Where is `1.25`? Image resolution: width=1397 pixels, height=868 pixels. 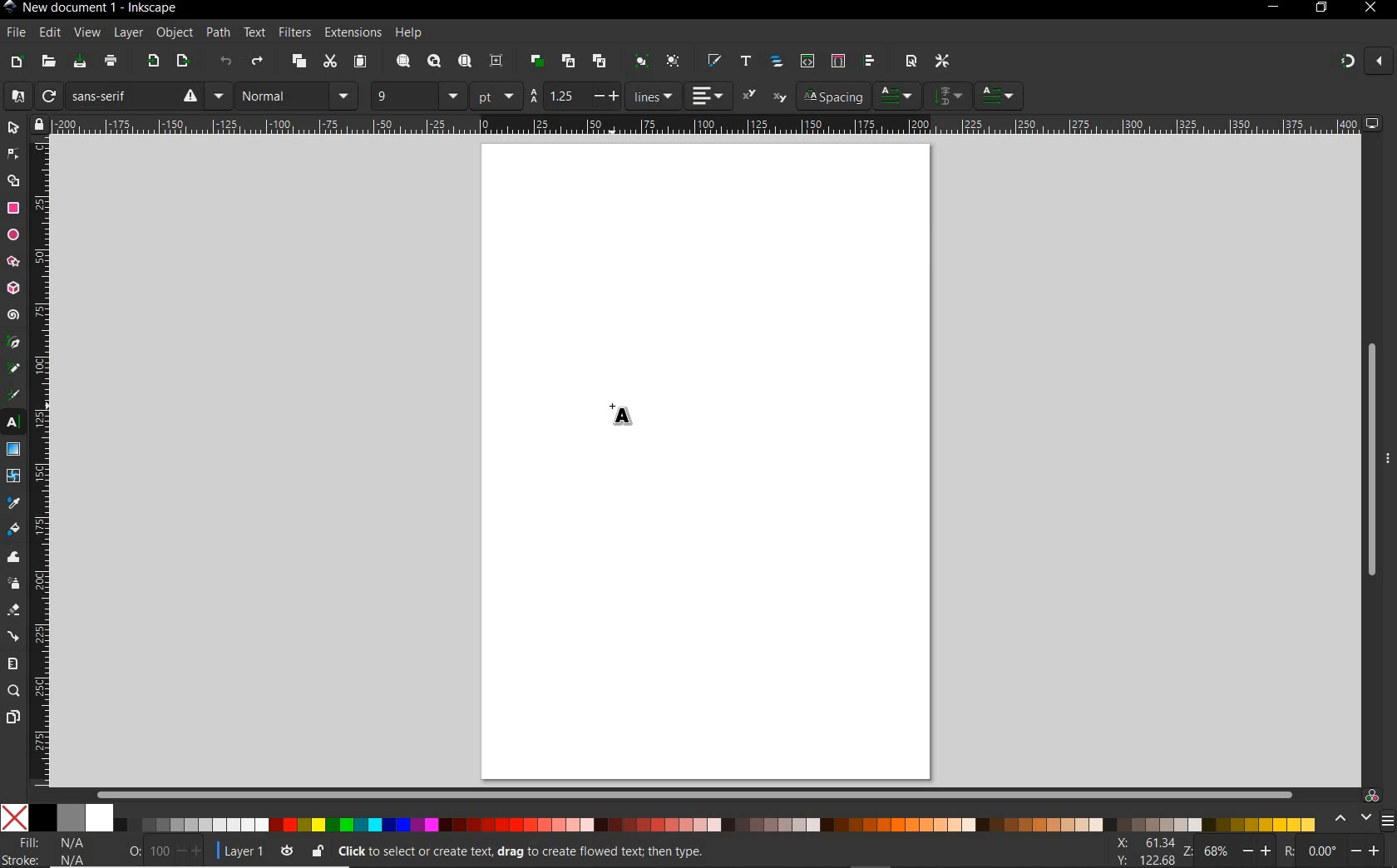 1.25 is located at coordinates (561, 96).